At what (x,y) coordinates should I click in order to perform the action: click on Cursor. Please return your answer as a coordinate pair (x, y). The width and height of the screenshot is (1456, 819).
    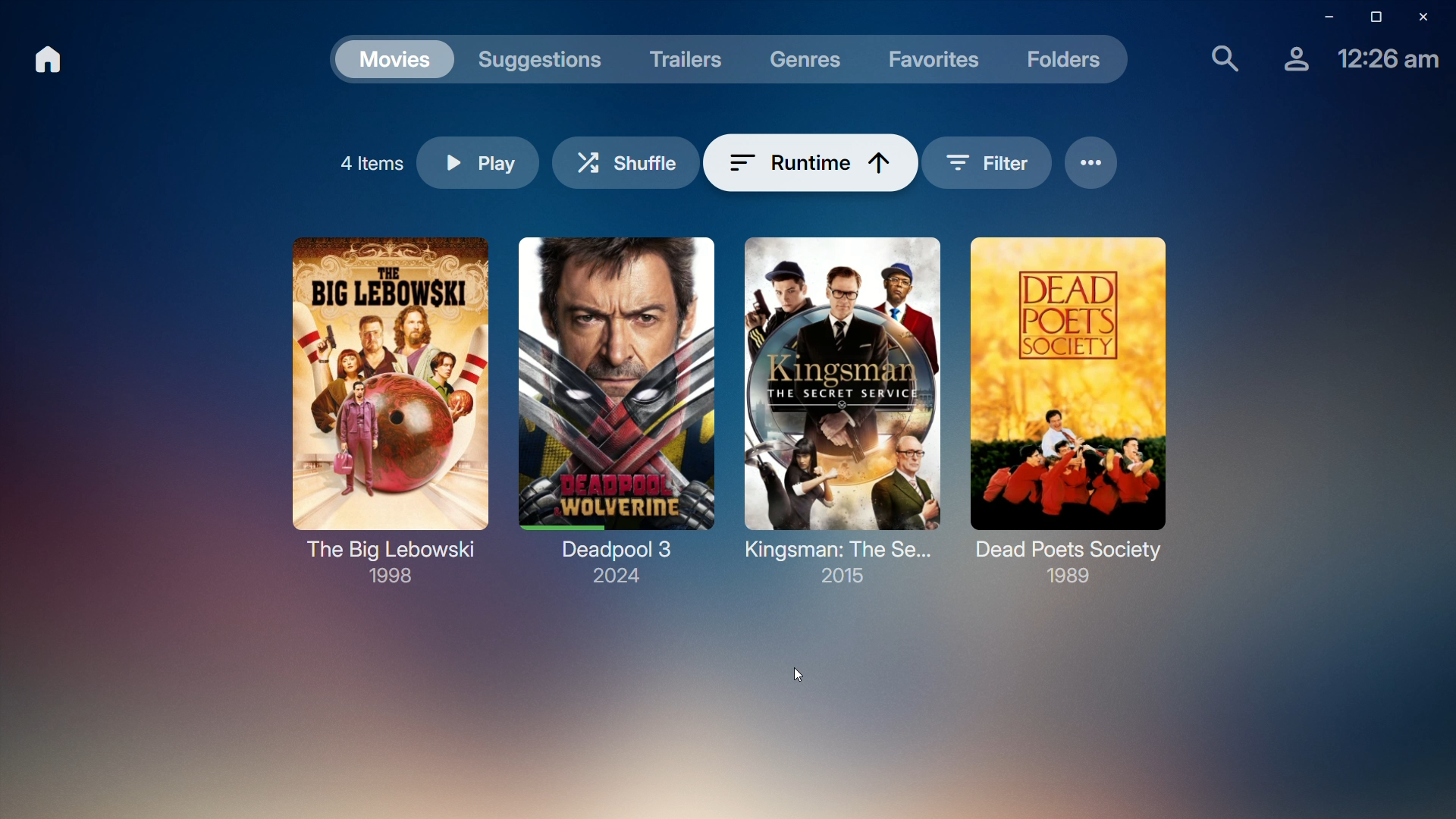
    Looking at the image, I should click on (794, 672).